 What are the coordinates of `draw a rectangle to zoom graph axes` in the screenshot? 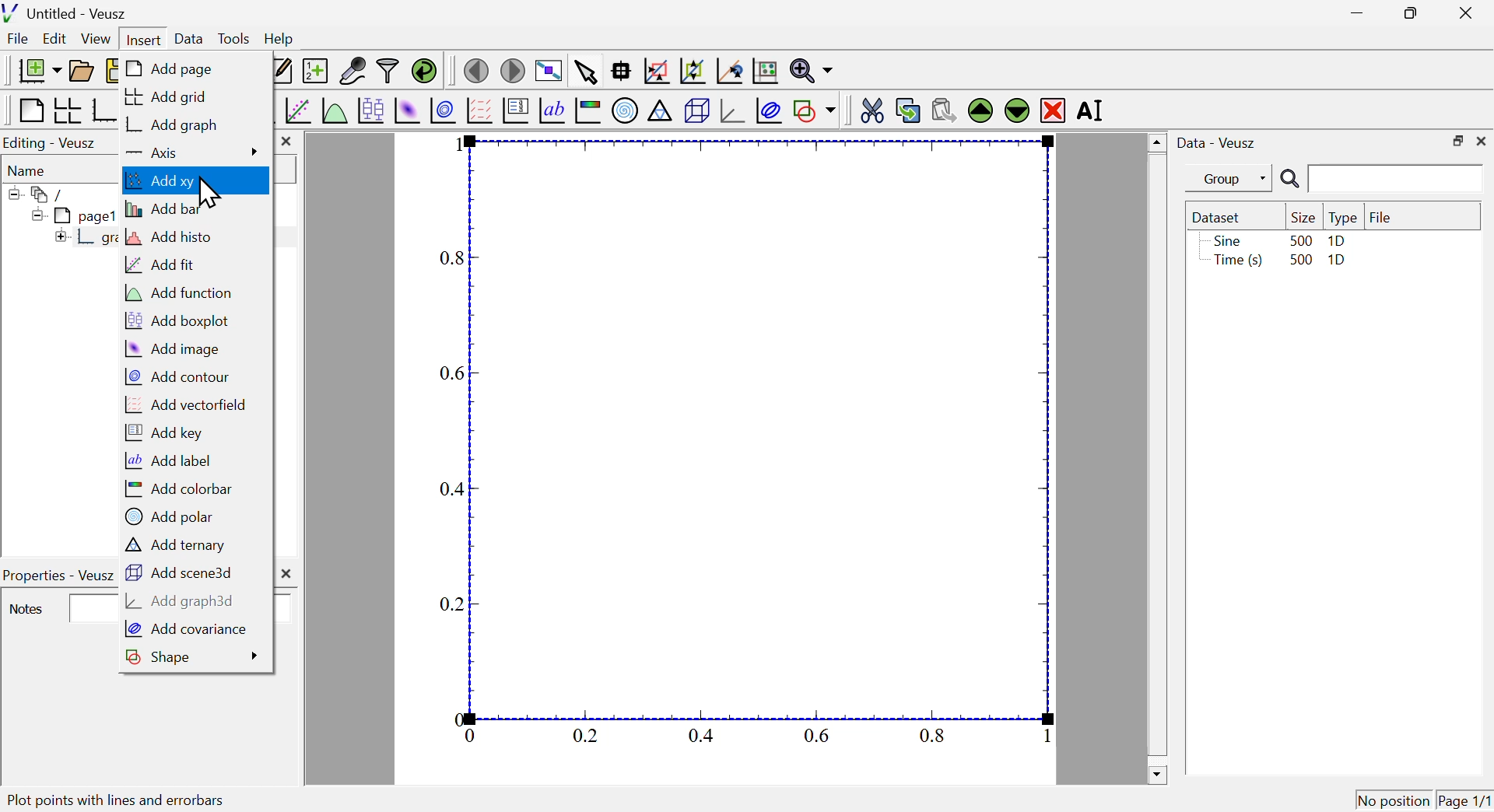 It's located at (656, 71).